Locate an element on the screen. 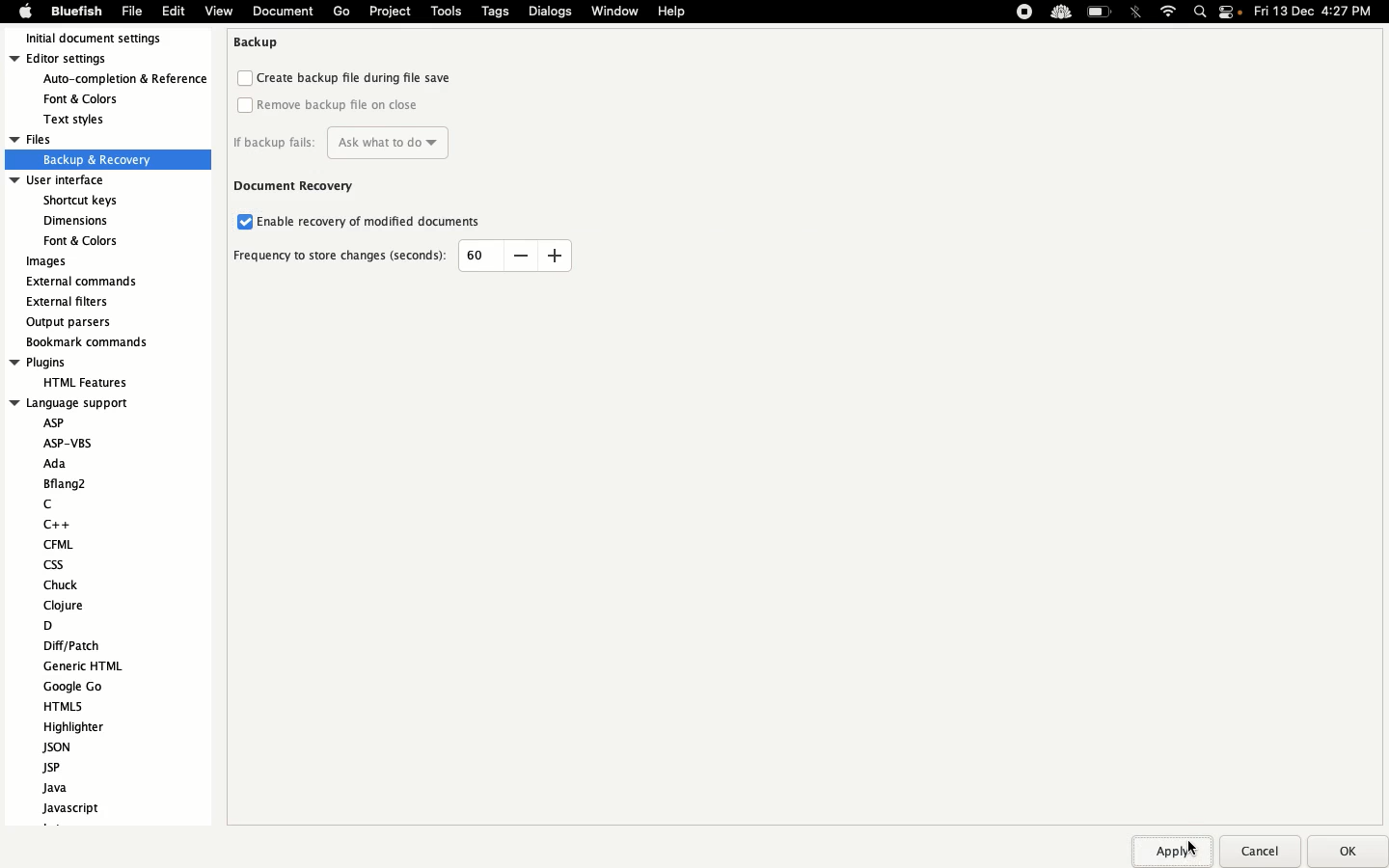 This screenshot has height=868, width=1389. Remove backup file on the close is located at coordinates (331, 105).